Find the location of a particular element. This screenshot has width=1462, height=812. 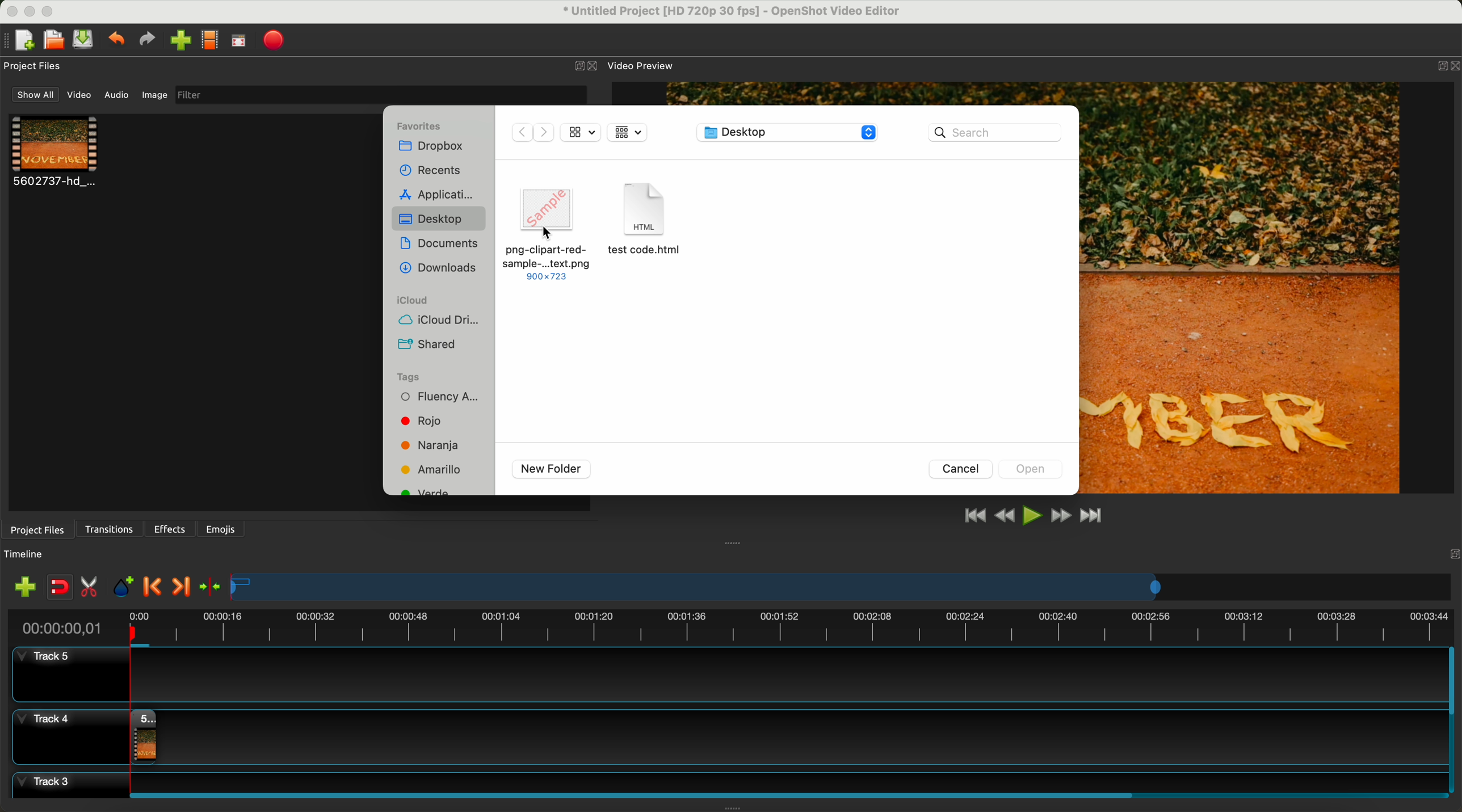

full screen is located at coordinates (240, 43).